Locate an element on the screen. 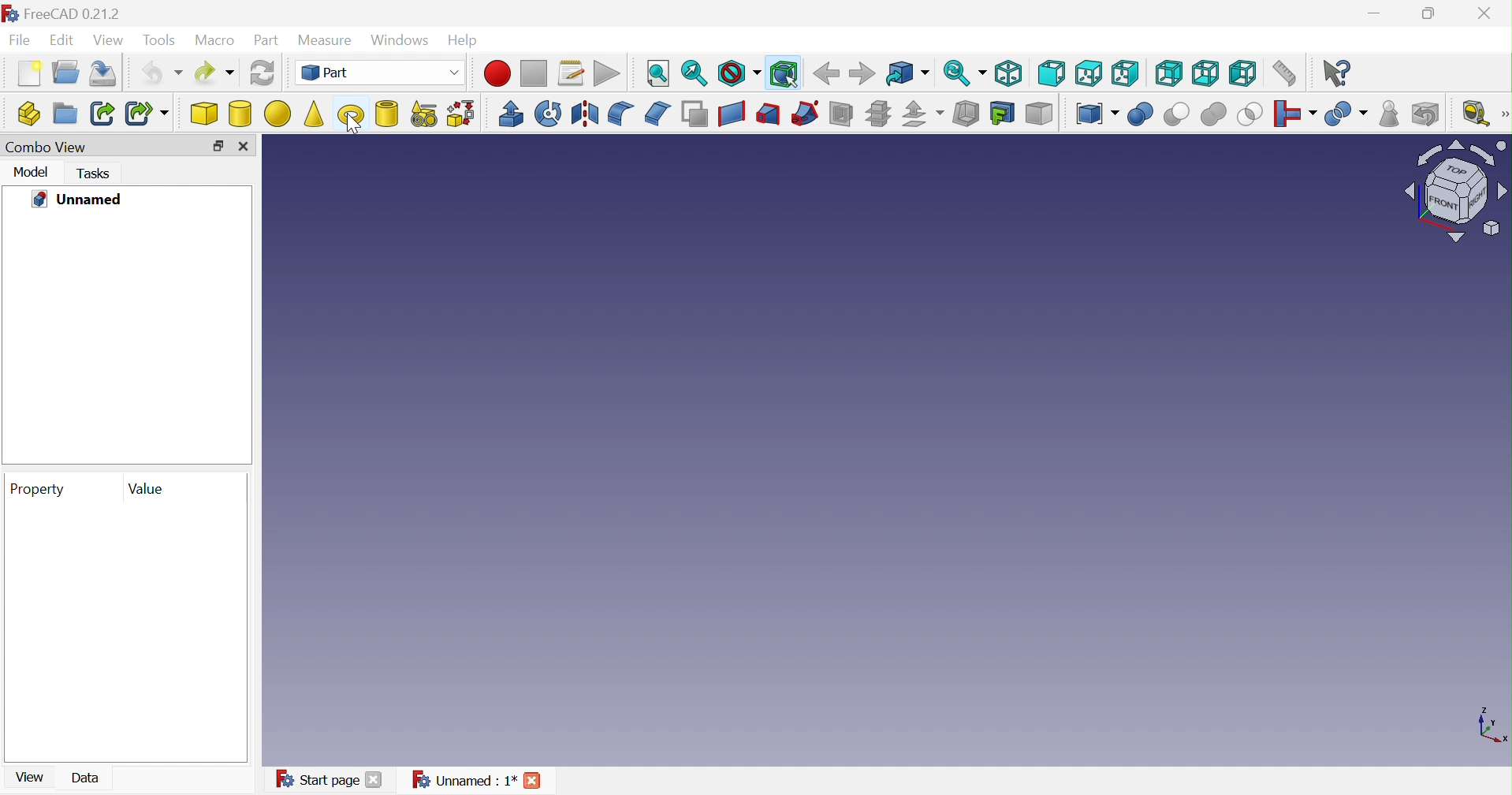 This screenshot has height=795, width=1512. Section is located at coordinates (840, 114).